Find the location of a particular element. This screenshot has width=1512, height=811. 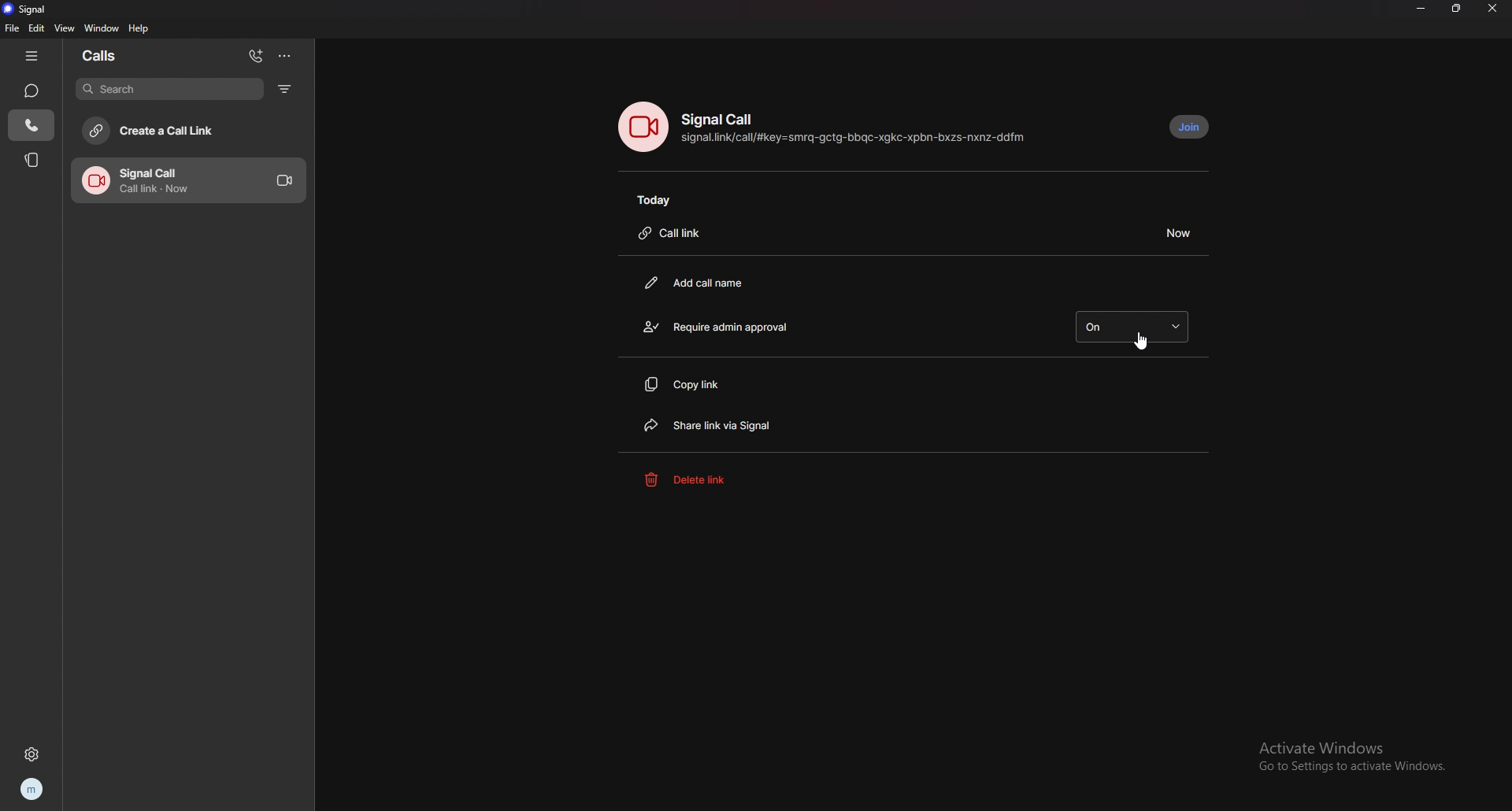

delete link is located at coordinates (710, 479).